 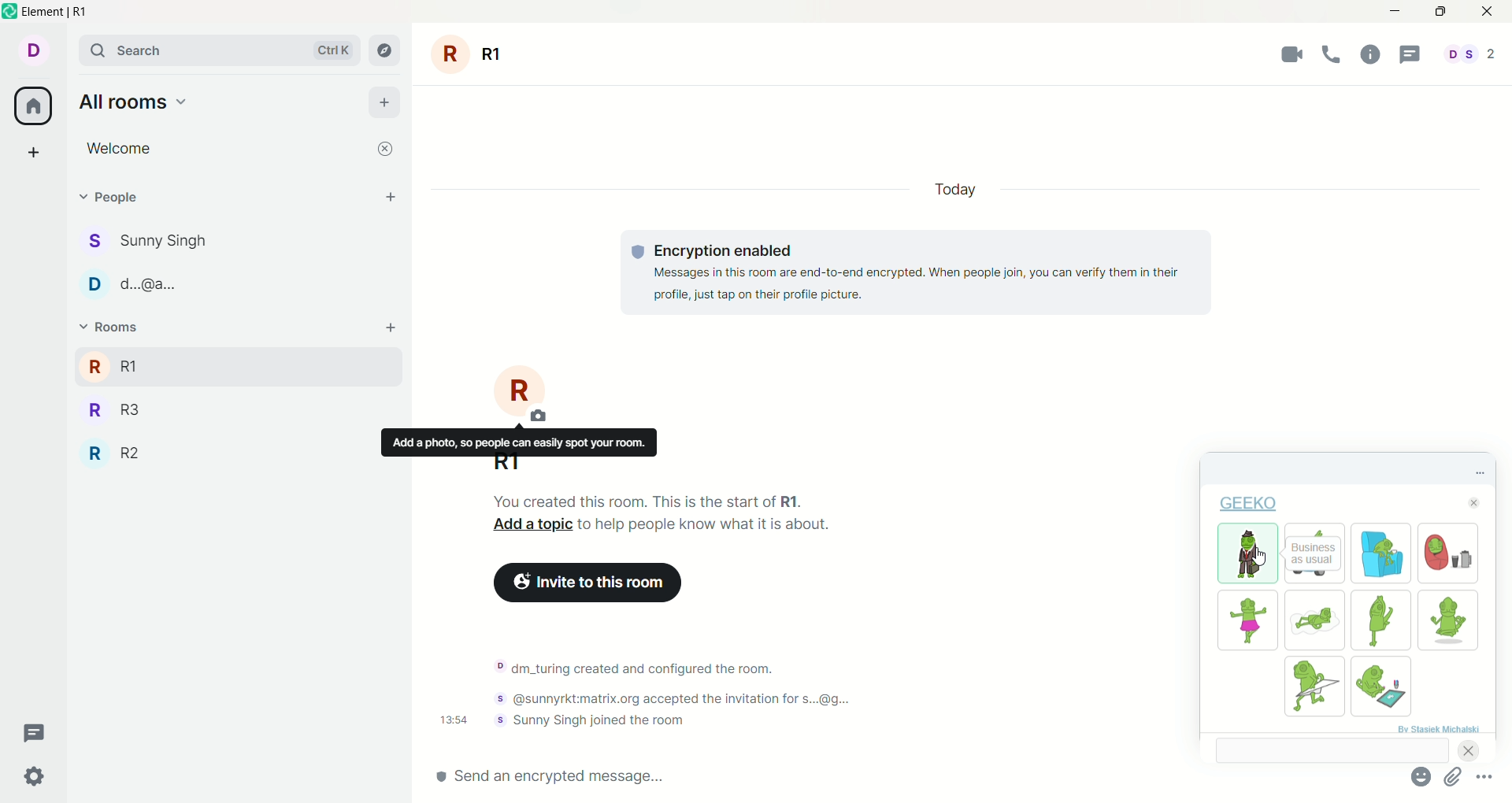 What do you see at coordinates (391, 196) in the screenshot?
I see `start chat` at bounding box center [391, 196].